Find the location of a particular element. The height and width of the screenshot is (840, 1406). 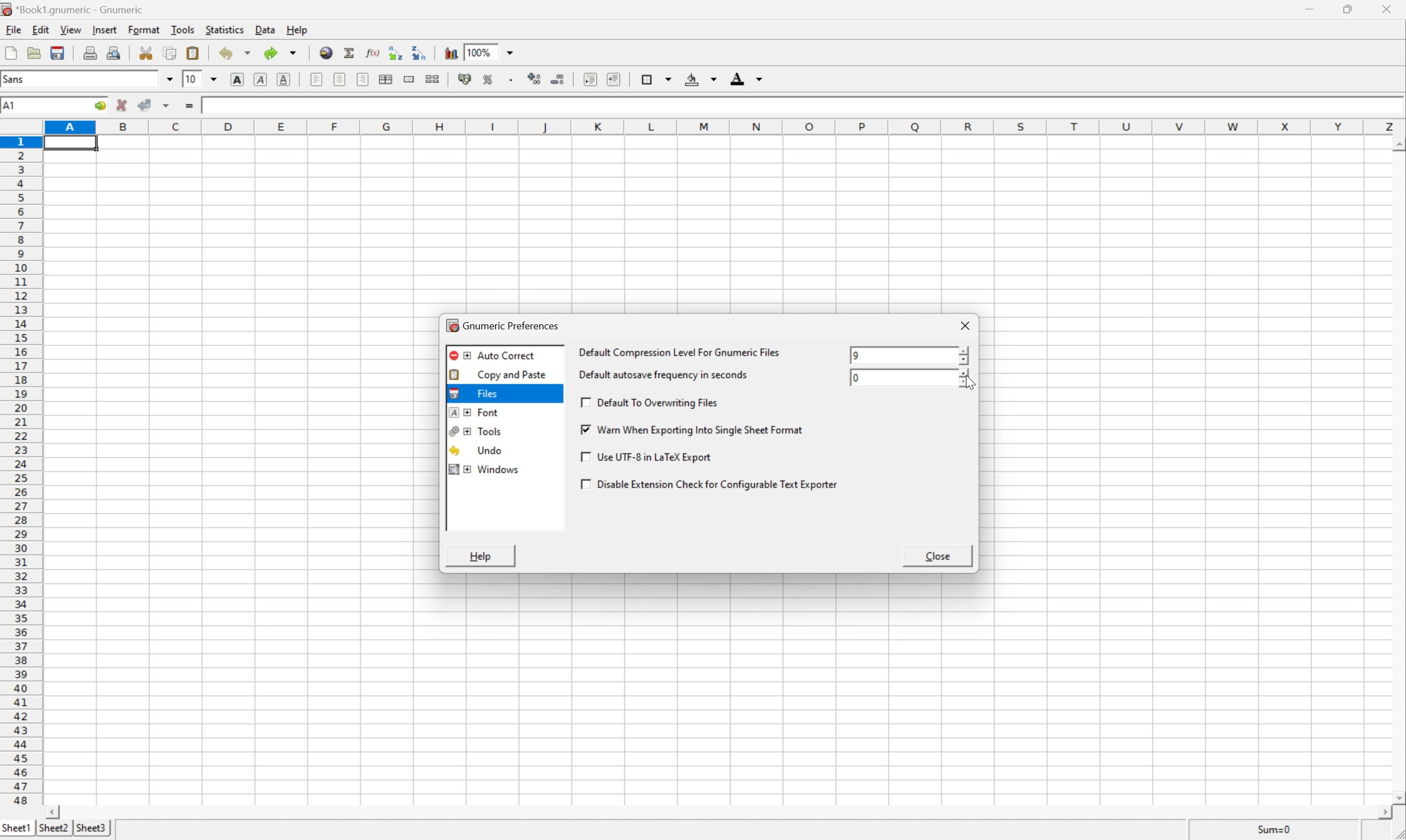

default autosave frequency in seconds is located at coordinates (764, 378).